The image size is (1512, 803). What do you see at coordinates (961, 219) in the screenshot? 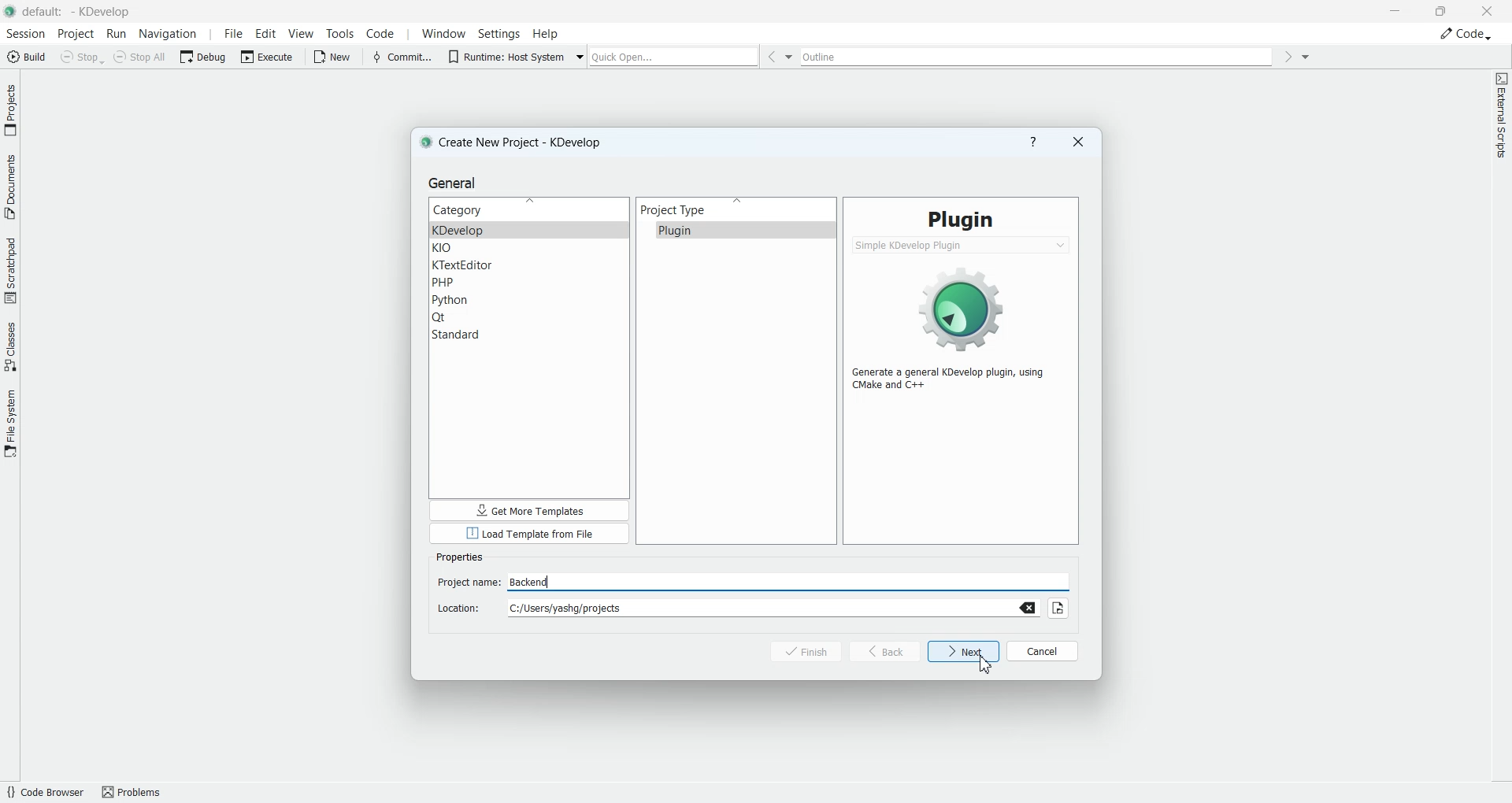
I see `Text` at bounding box center [961, 219].